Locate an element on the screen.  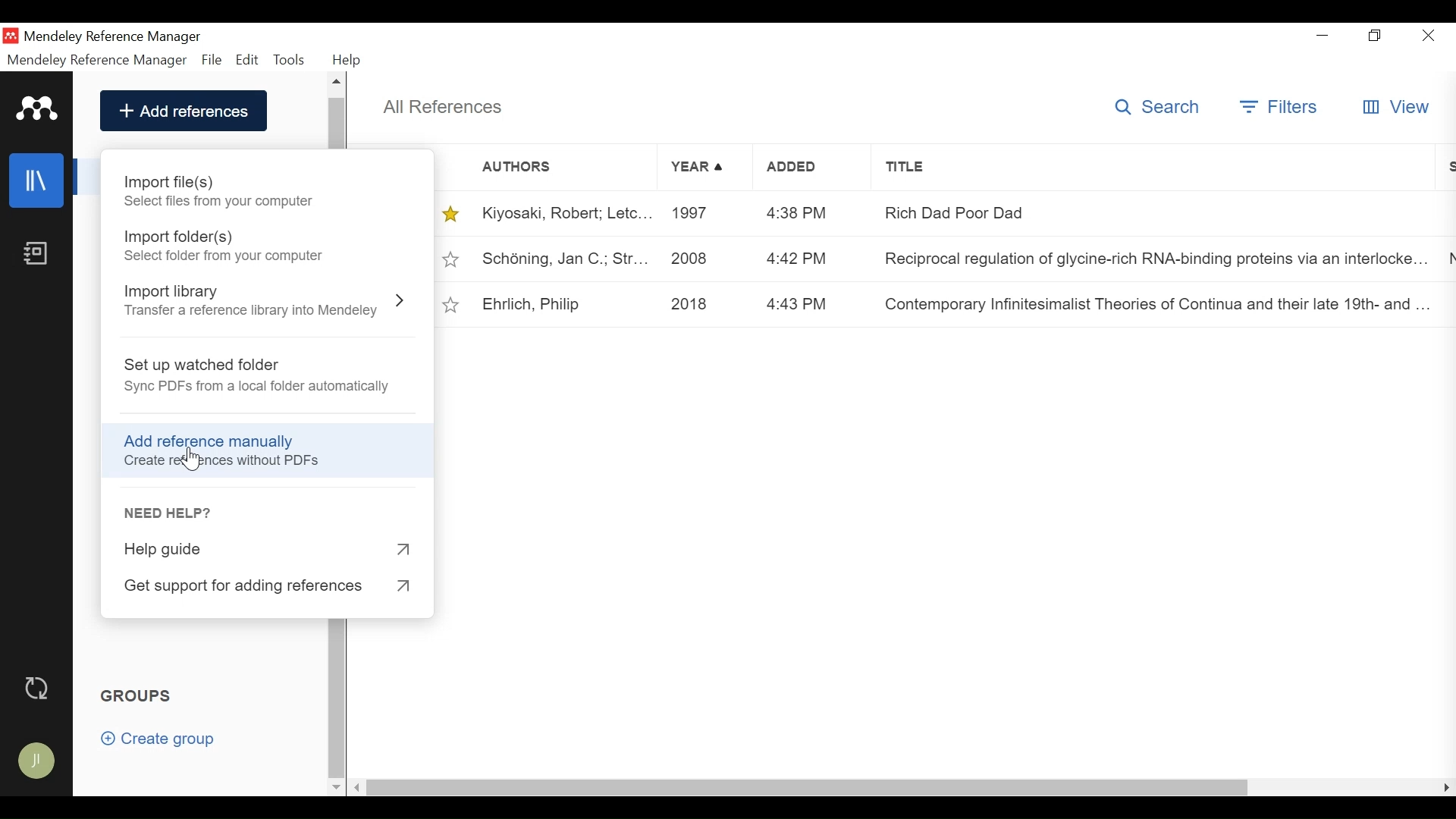
4:42 PM is located at coordinates (799, 257).